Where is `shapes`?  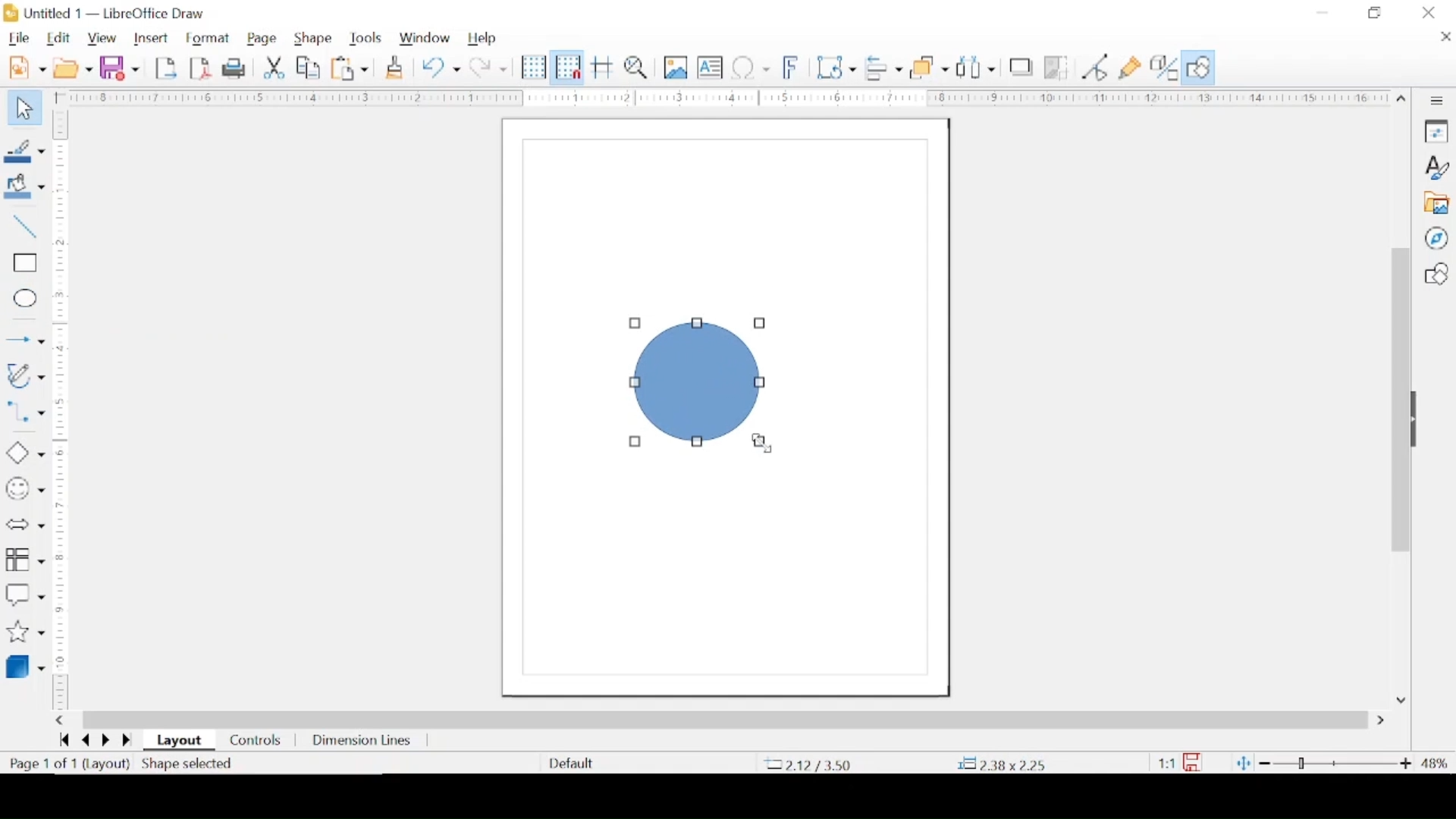
shapes is located at coordinates (1436, 274).